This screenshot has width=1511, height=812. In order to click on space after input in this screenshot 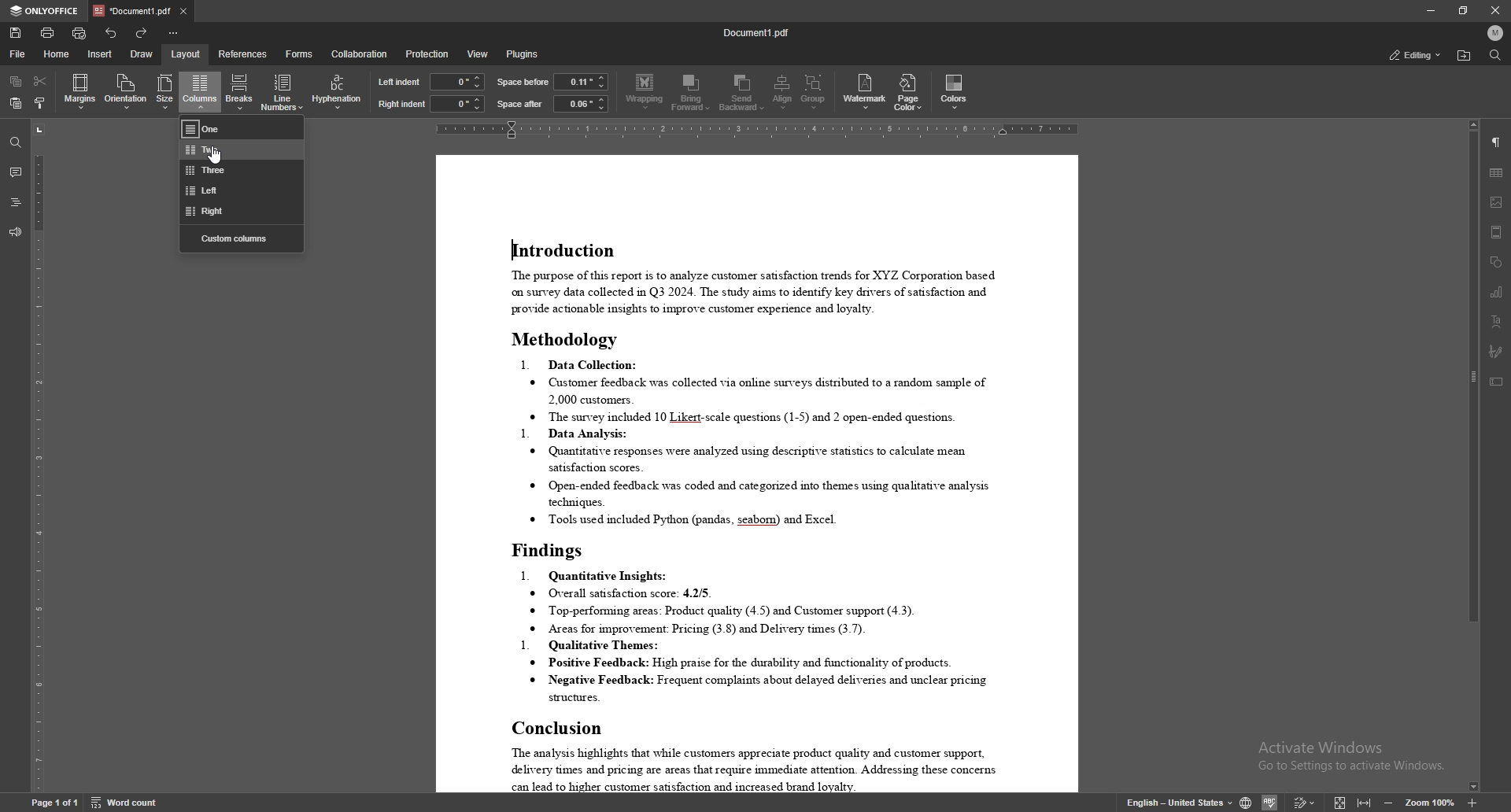, I will do `click(581, 103)`.